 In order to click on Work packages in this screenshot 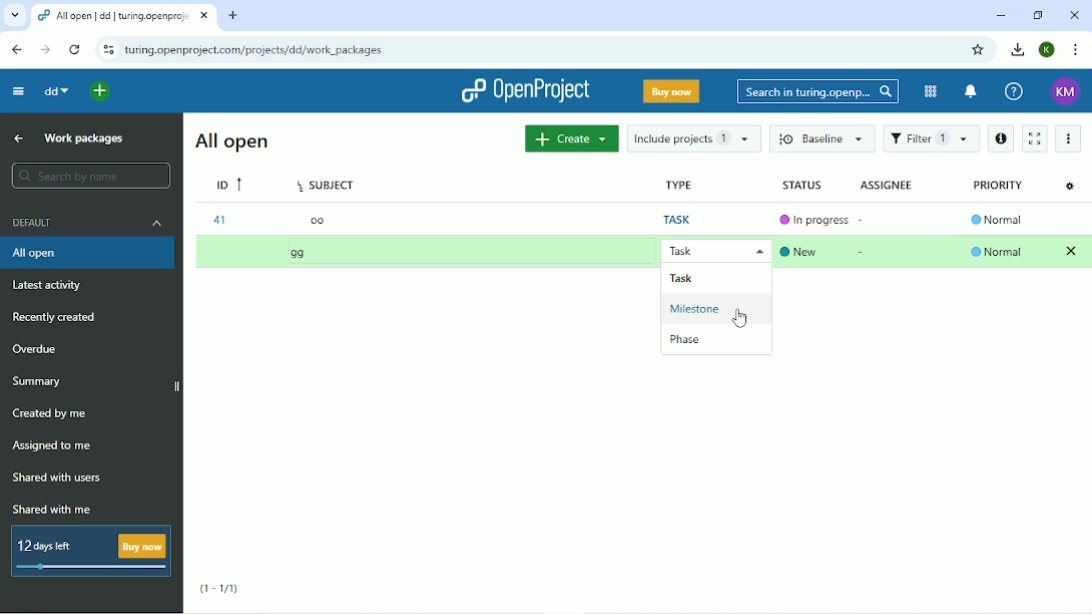, I will do `click(84, 140)`.